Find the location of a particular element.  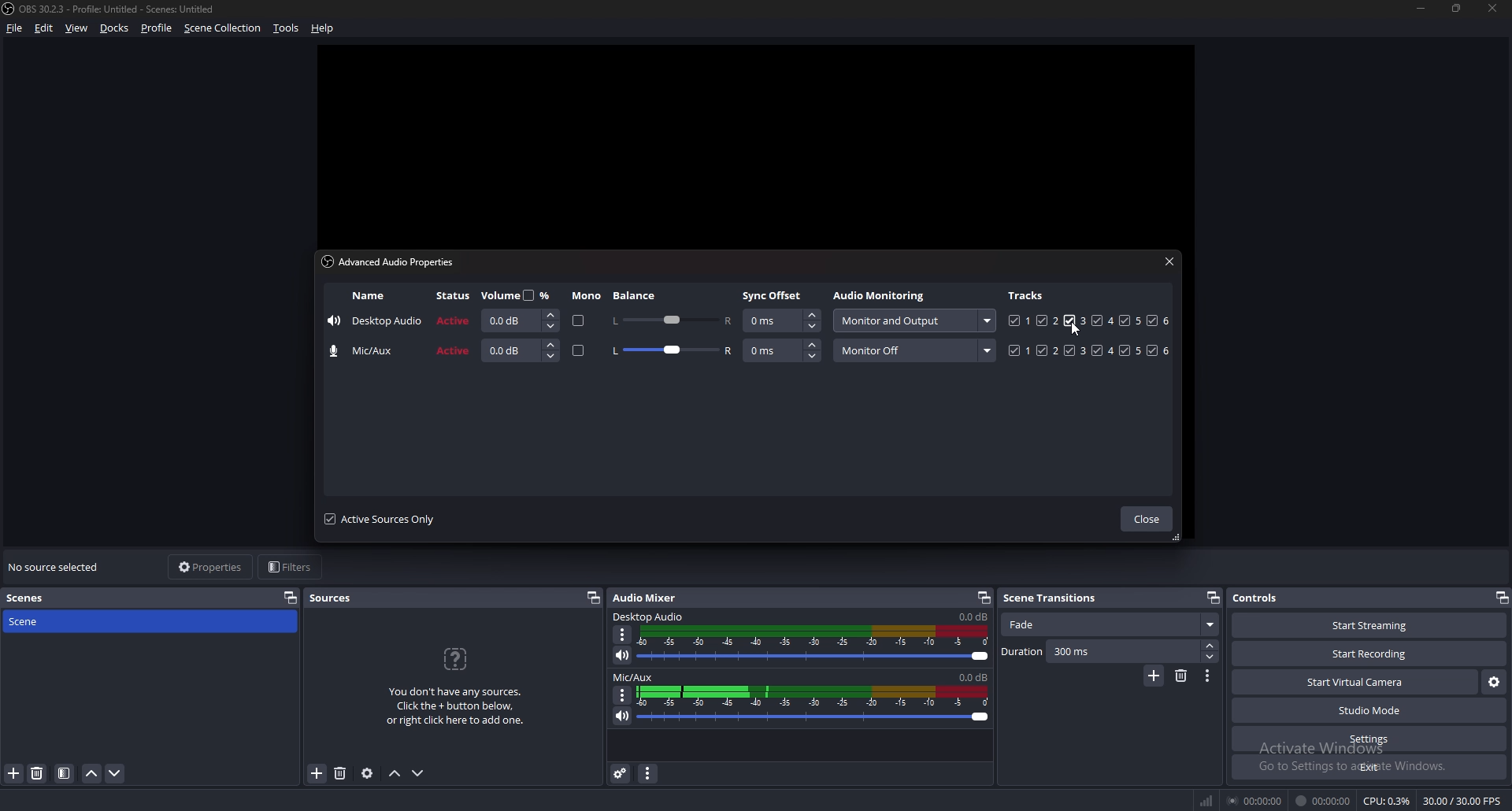

00:00:00 is located at coordinates (1323, 802).